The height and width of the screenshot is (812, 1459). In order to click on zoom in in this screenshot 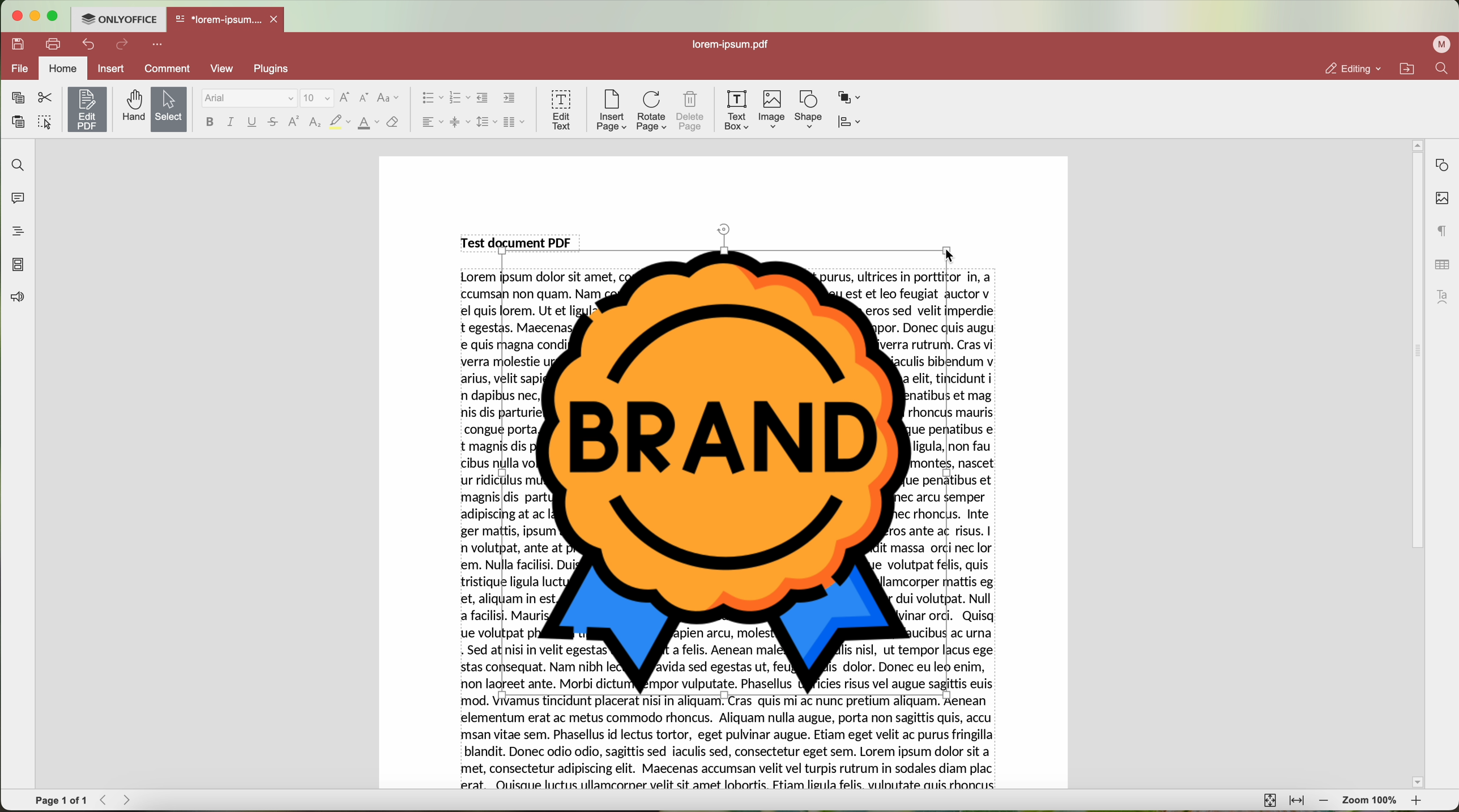, I will do `click(1418, 803)`.